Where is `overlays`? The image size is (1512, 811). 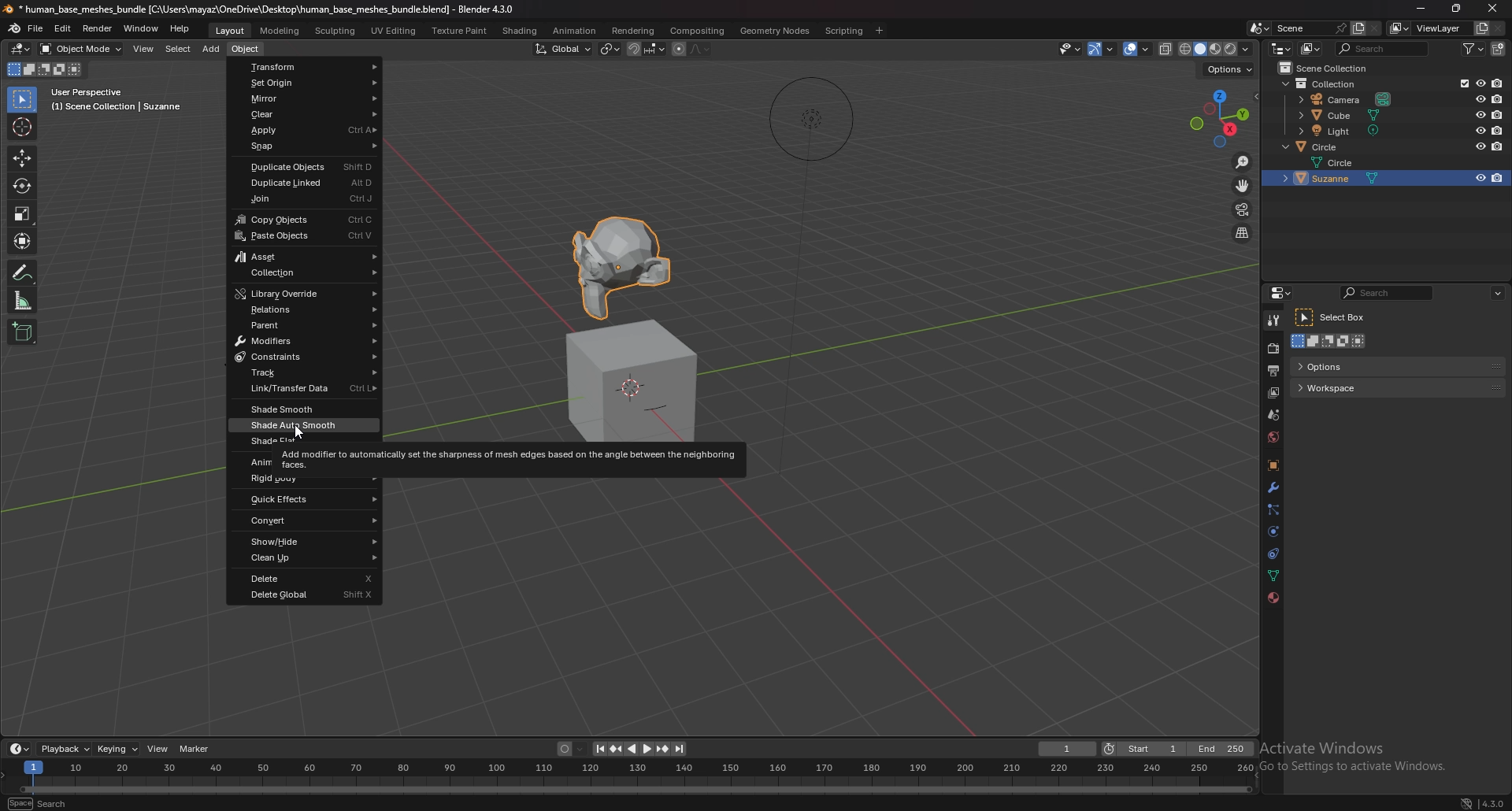 overlays is located at coordinates (1138, 49).